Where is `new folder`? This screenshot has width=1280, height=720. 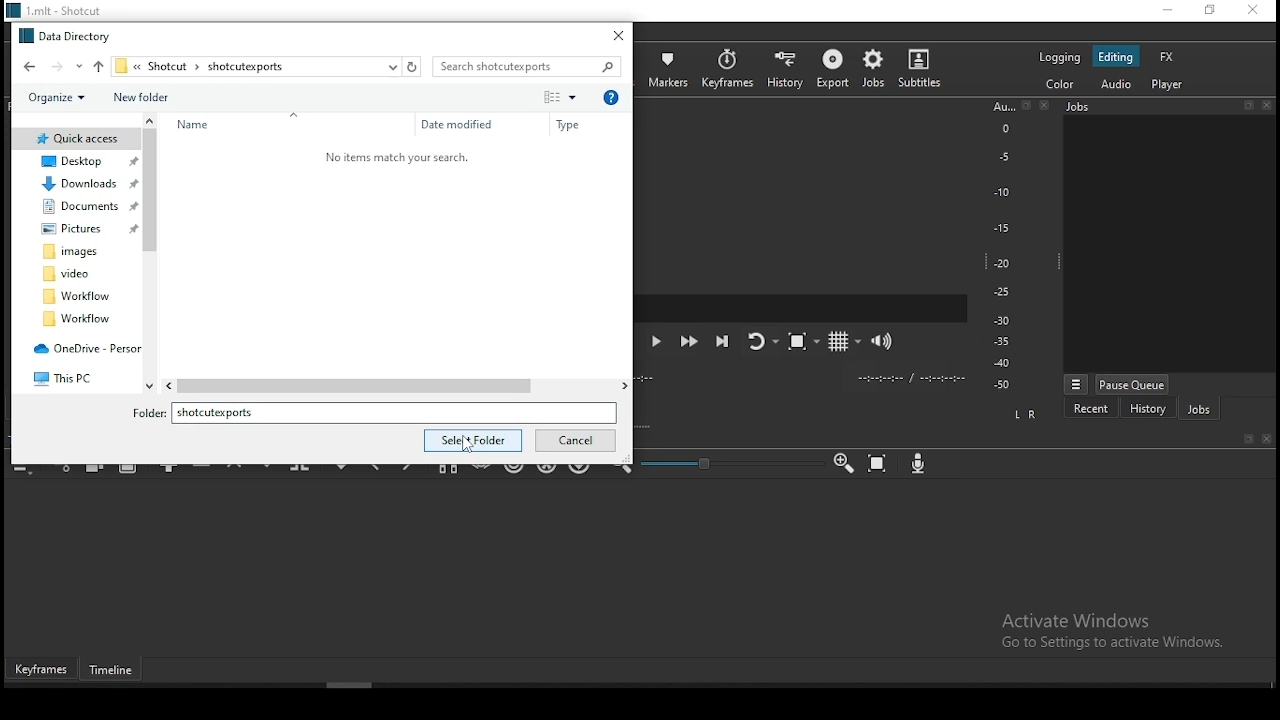 new folder is located at coordinates (140, 97).